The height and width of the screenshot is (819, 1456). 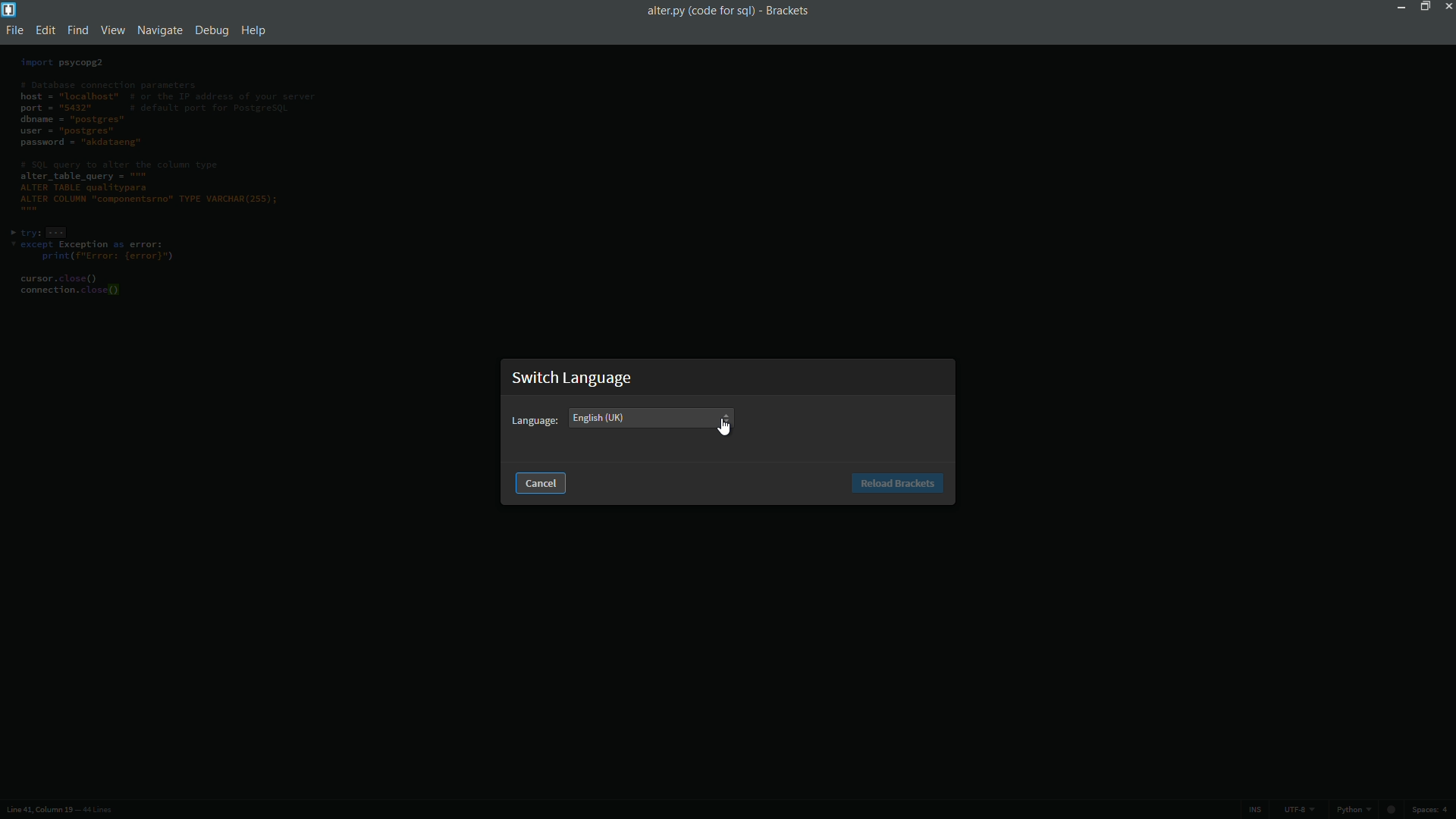 What do you see at coordinates (111, 30) in the screenshot?
I see `view menu` at bounding box center [111, 30].